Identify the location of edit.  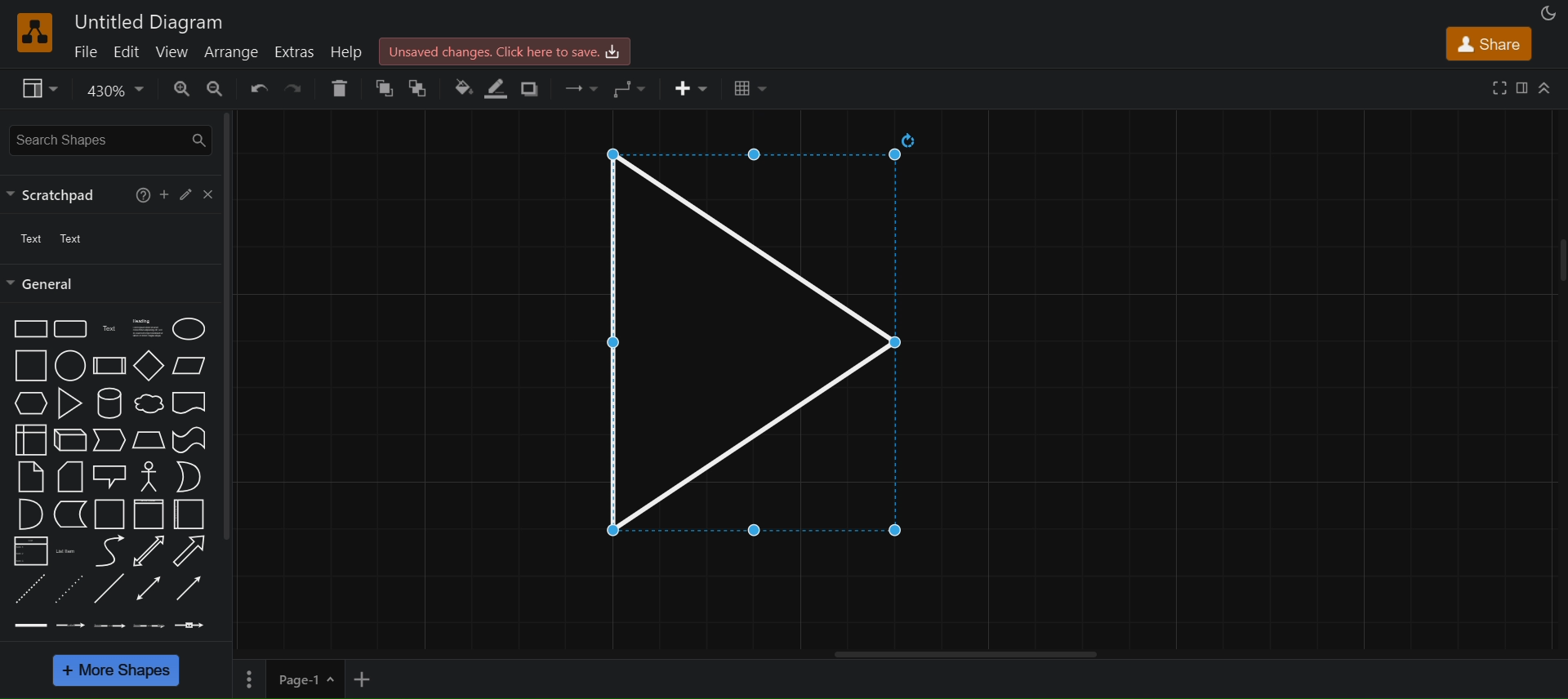
(184, 194).